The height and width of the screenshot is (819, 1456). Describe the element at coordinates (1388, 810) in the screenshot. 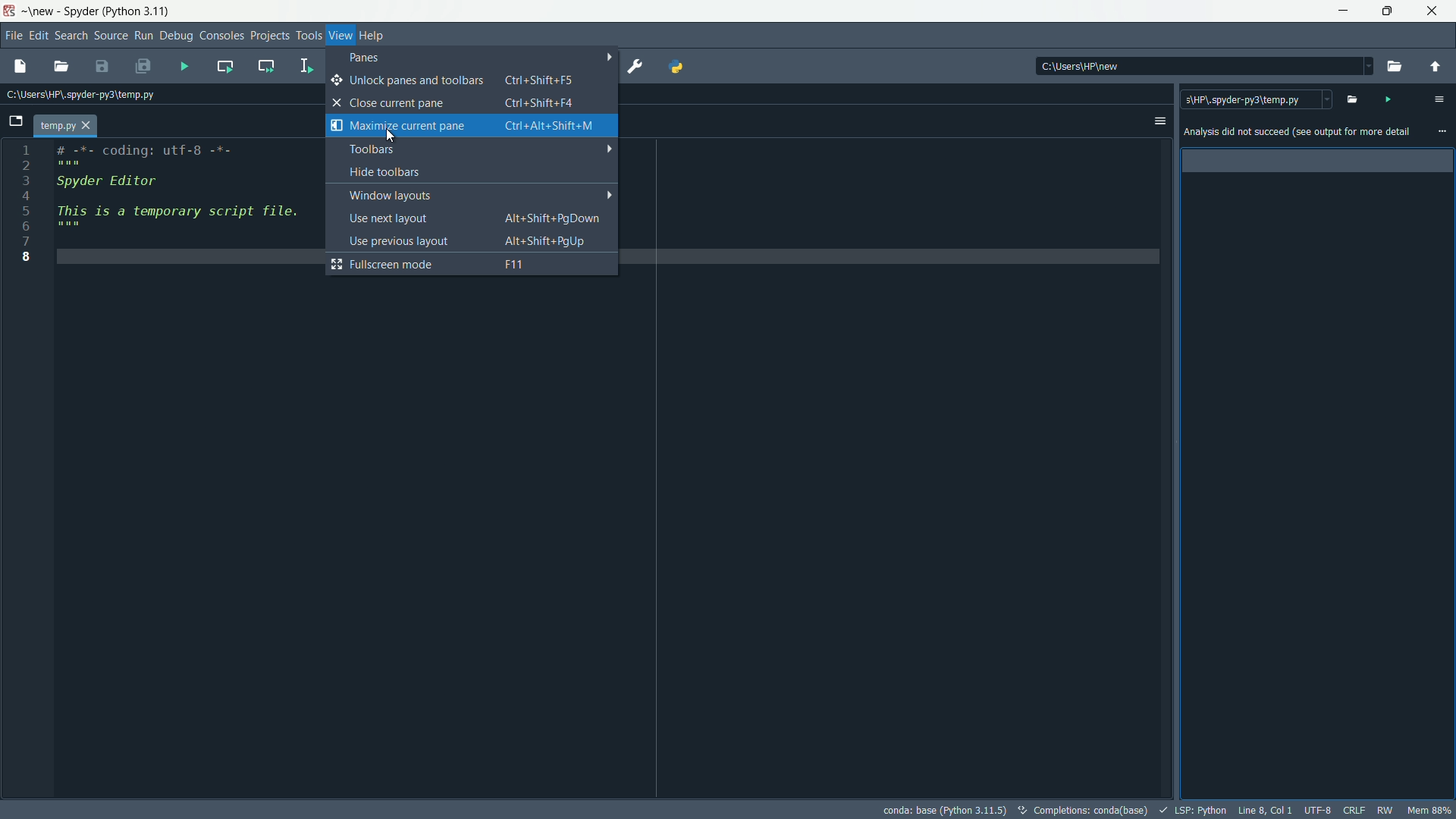

I see `rw` at that location.